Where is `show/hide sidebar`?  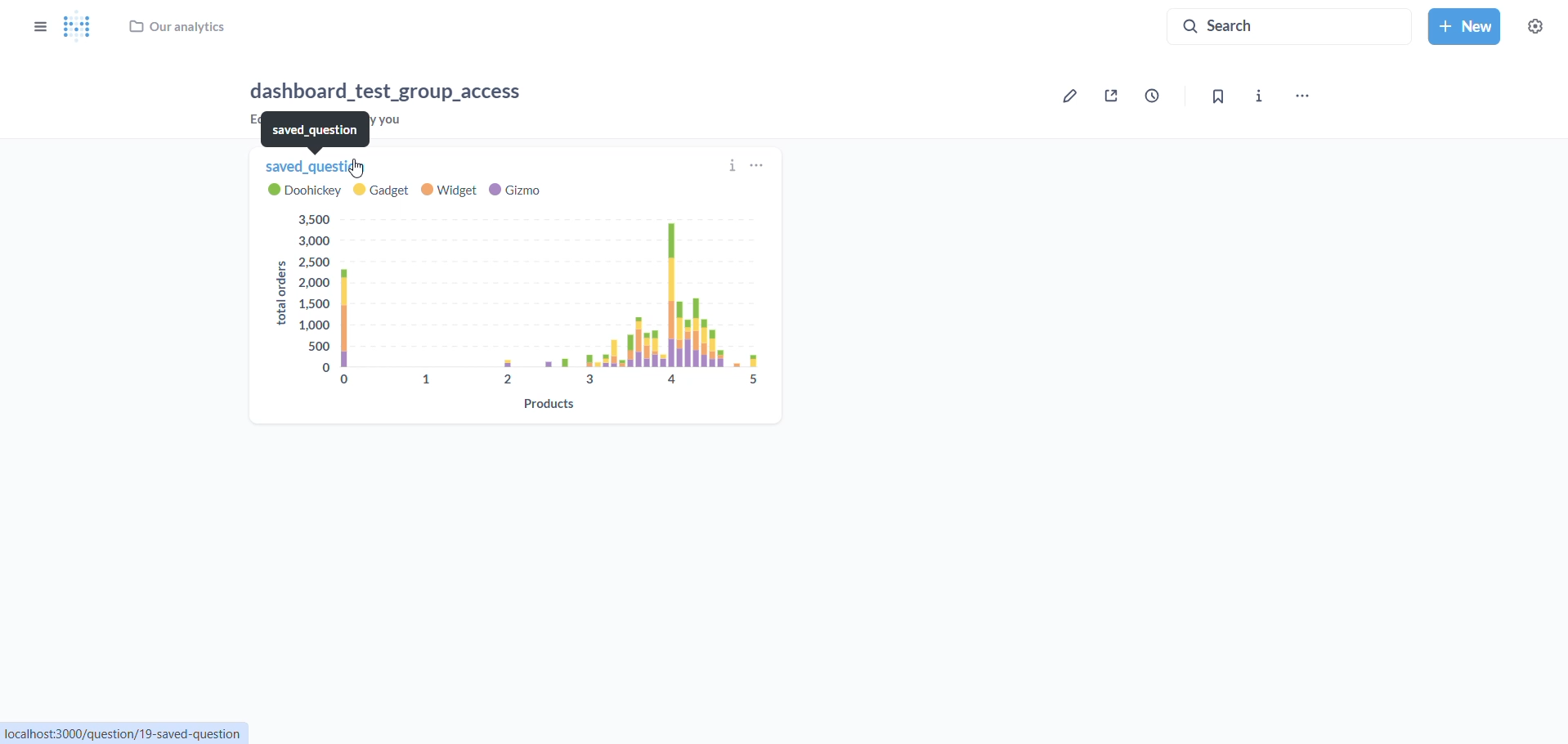
show/hide sidebar is located at coordinates (35, 25).